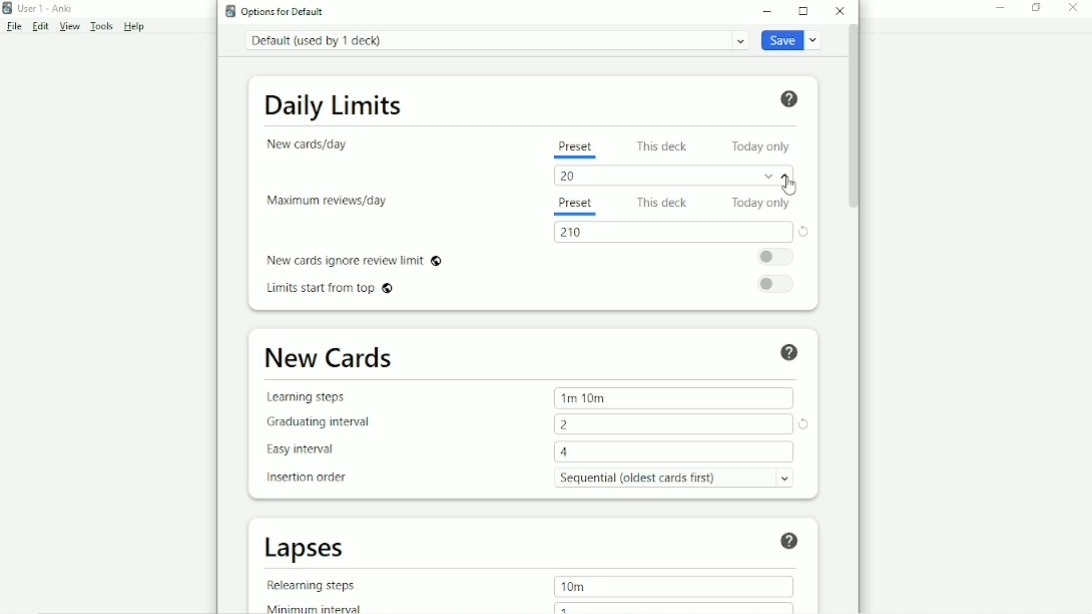 This screenshot has width=1092, height=614. Describe the element at coordinates (566, 426) in the screenshot. I see `2` at that location.